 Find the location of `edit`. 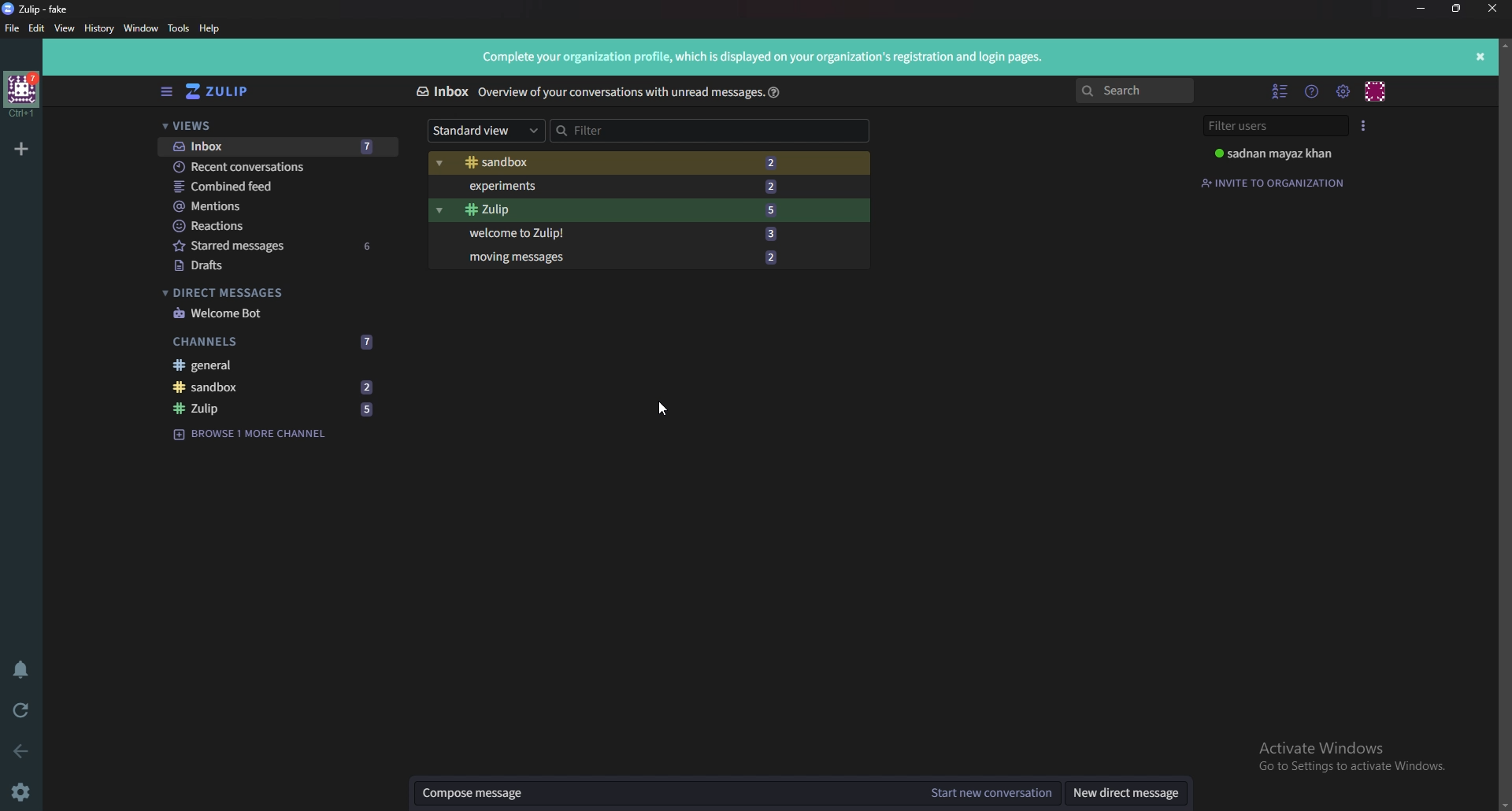

edit is located at coordinates (37, 29).